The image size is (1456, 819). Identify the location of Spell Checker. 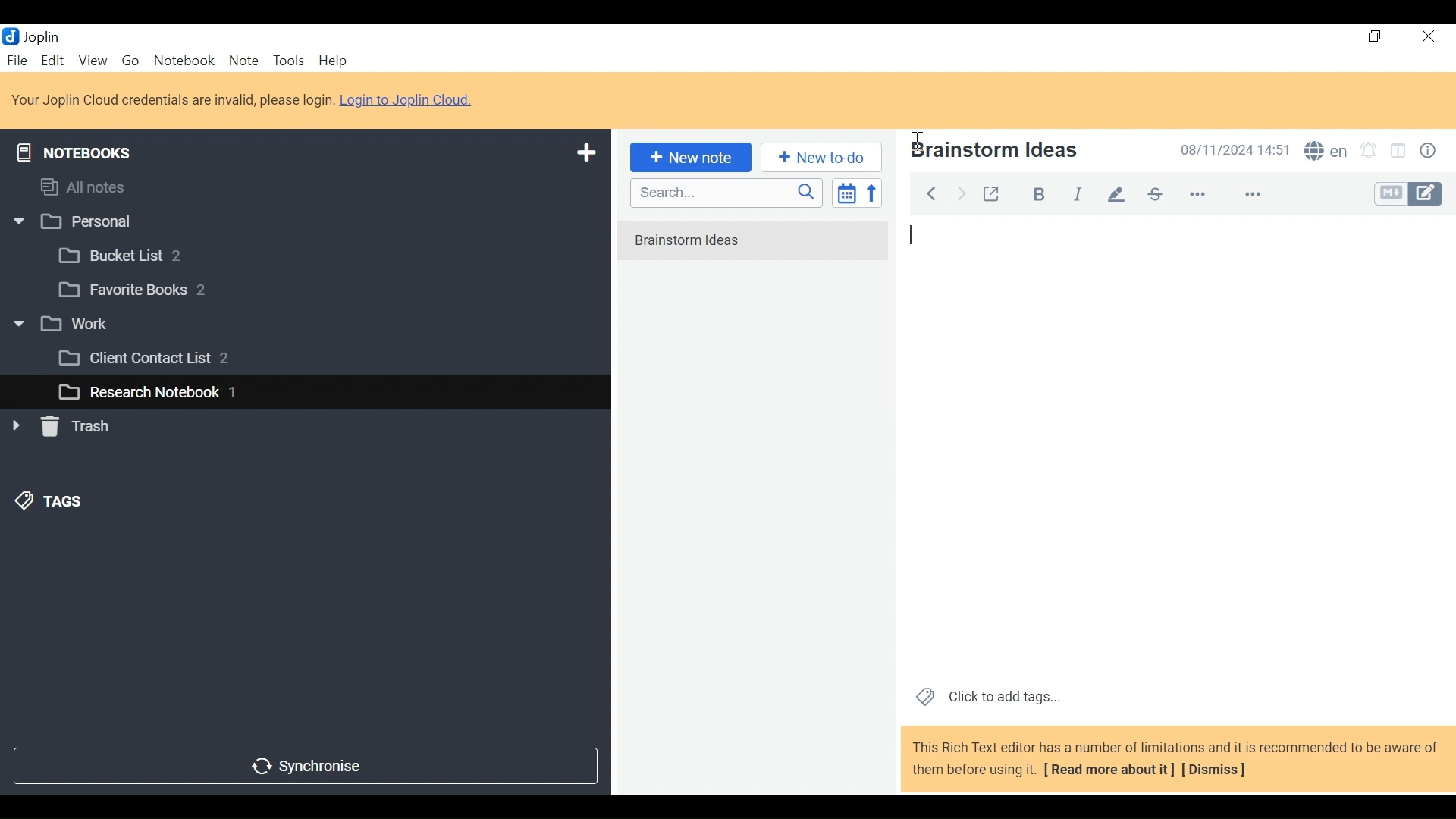
(1326, 152).